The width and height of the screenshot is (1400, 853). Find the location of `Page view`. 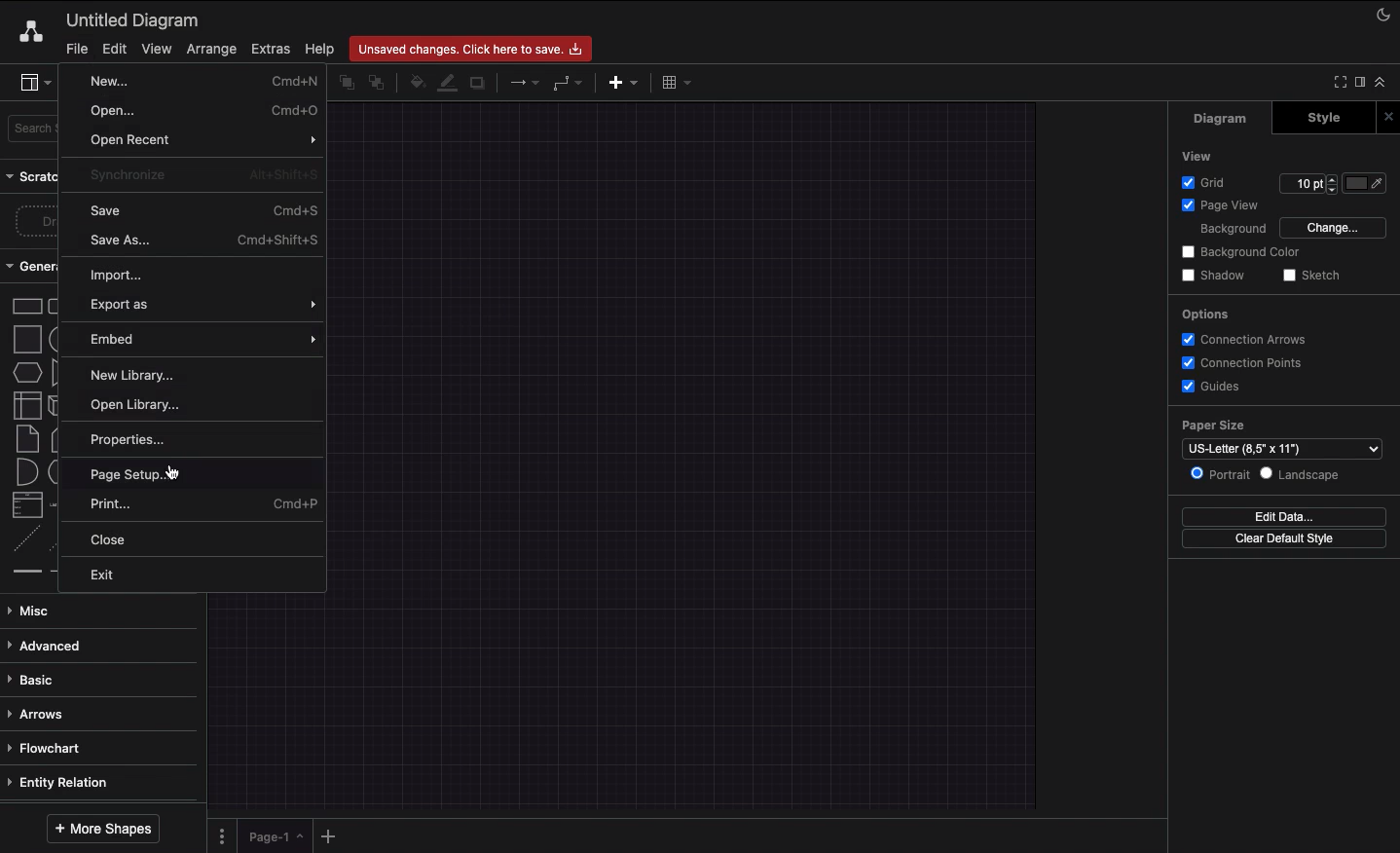

Page view is located at coordinates (1217, 206).